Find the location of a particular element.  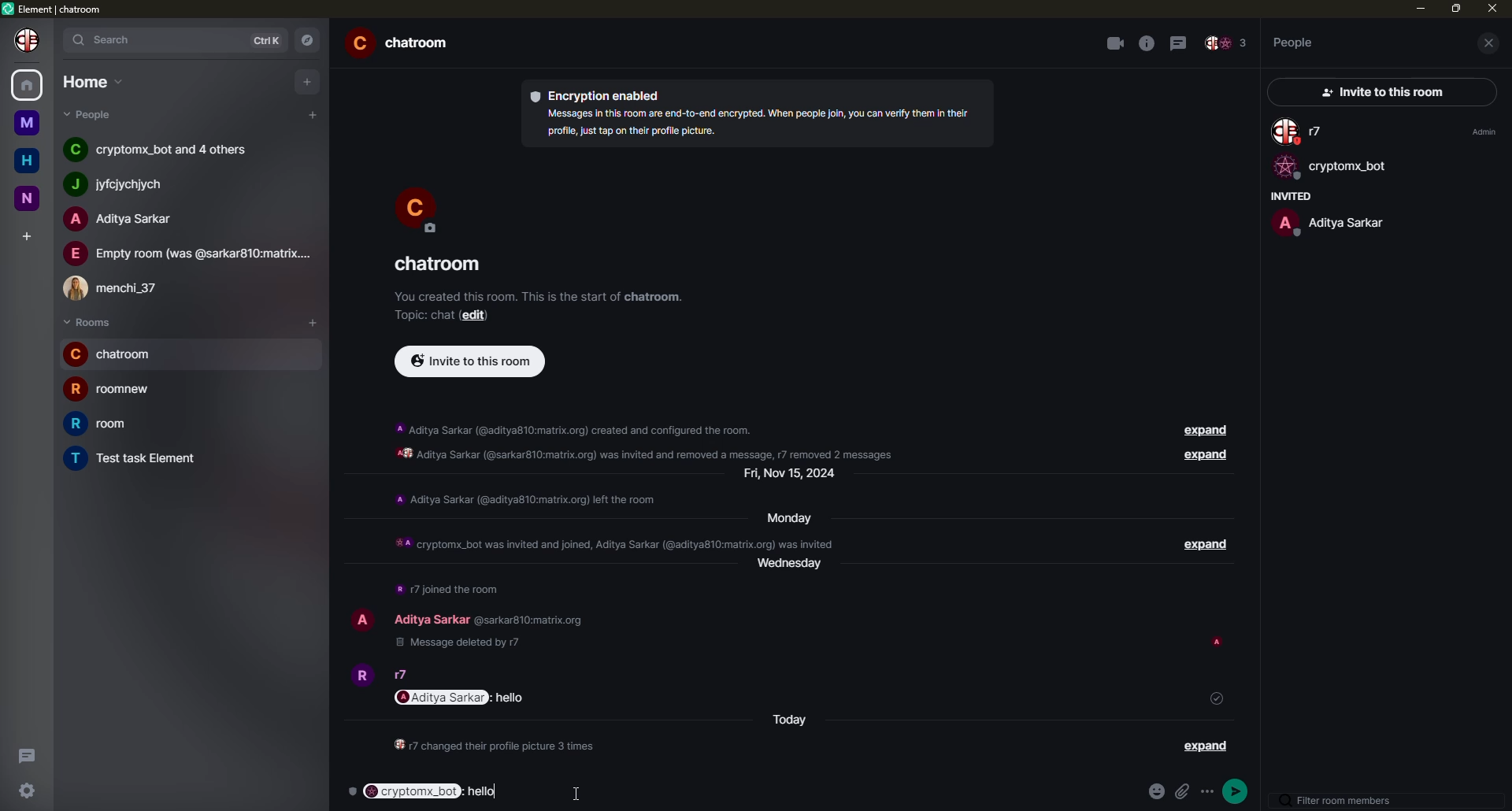

info is located at coordinates (493, 745).